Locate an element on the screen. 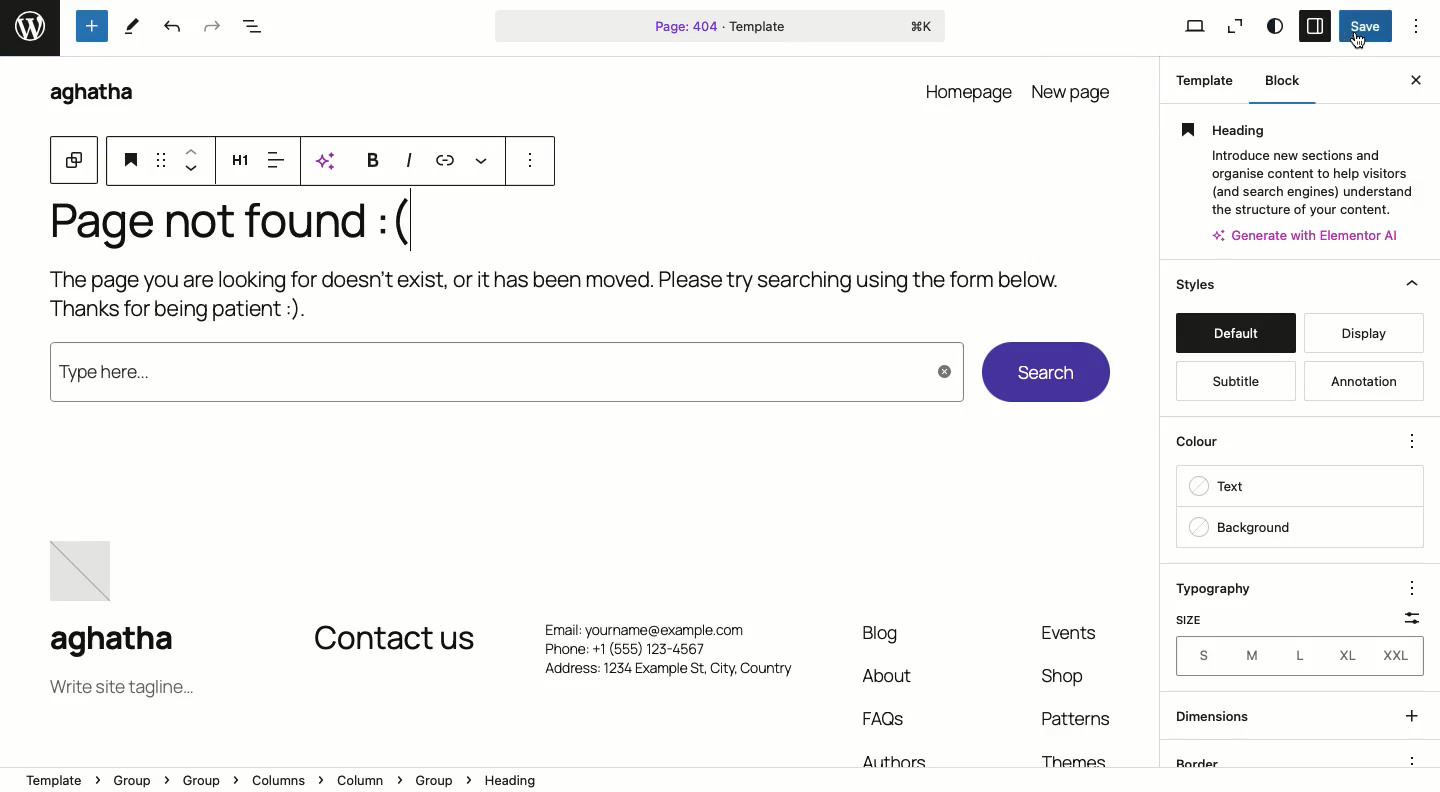   is located at coordinates (550, 297).